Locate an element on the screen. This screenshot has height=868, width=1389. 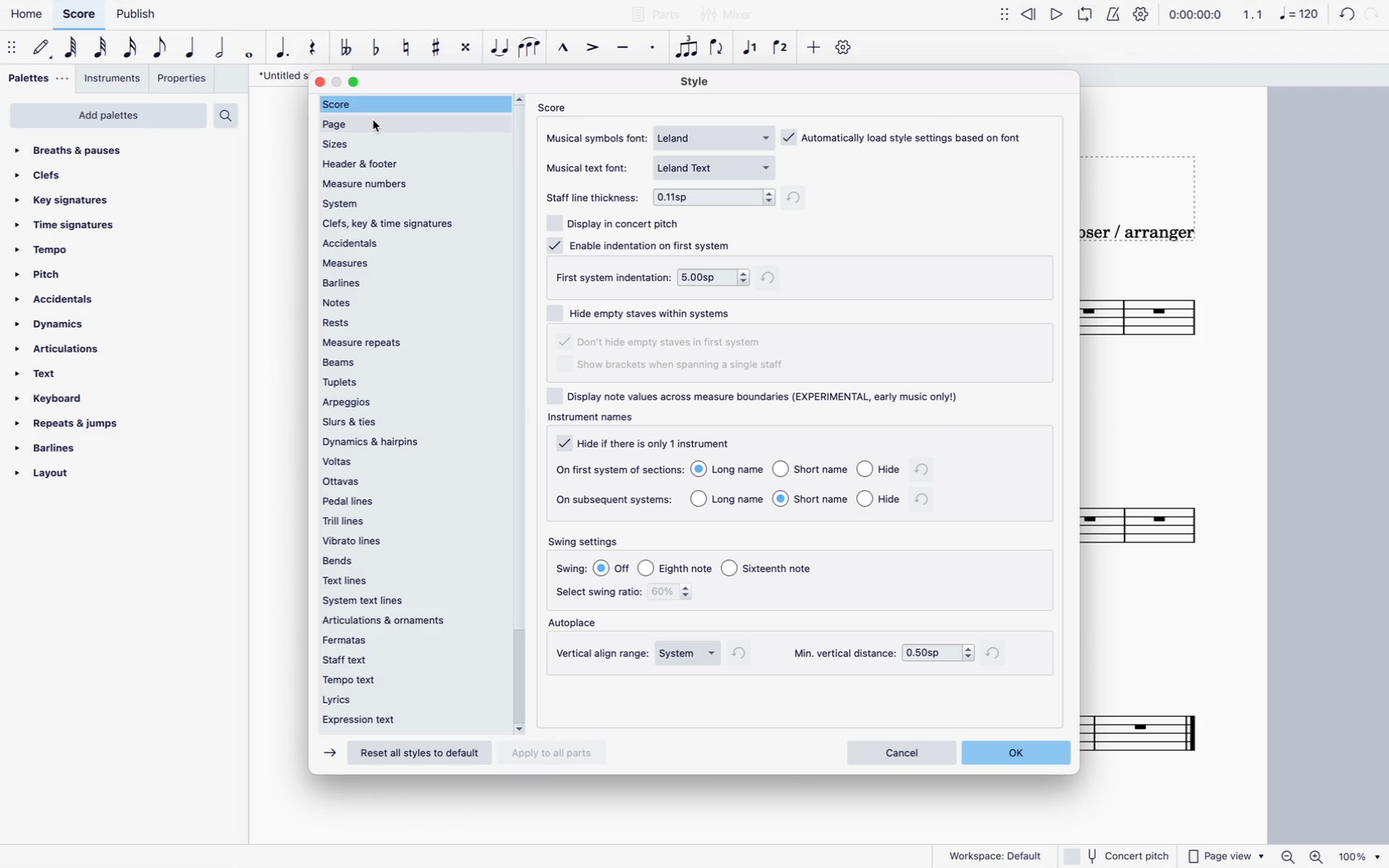
dynamics & hairpins is located at coordinates (408, 440).